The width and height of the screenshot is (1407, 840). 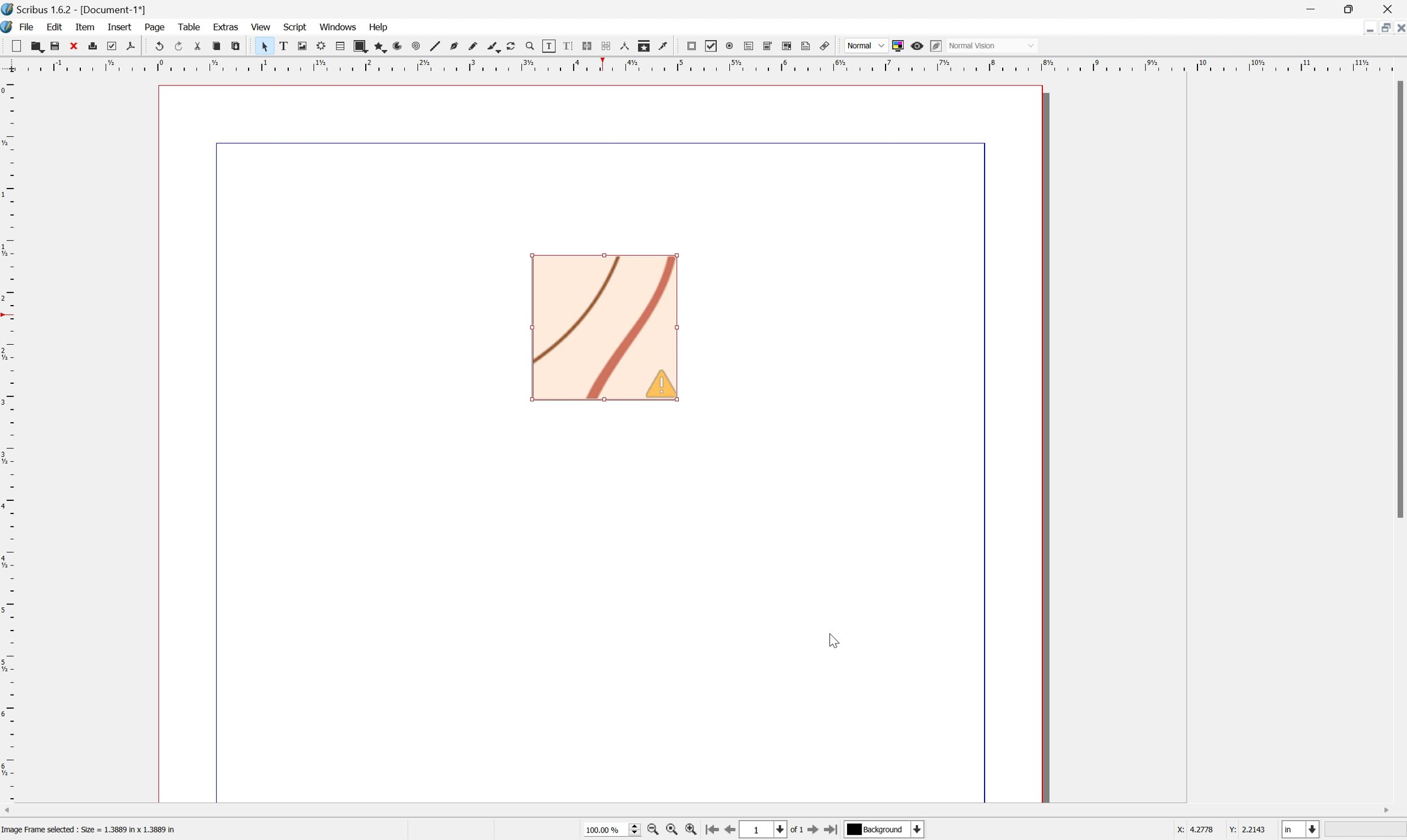 I want to click on coordinates, so click(x=1221, y=832).